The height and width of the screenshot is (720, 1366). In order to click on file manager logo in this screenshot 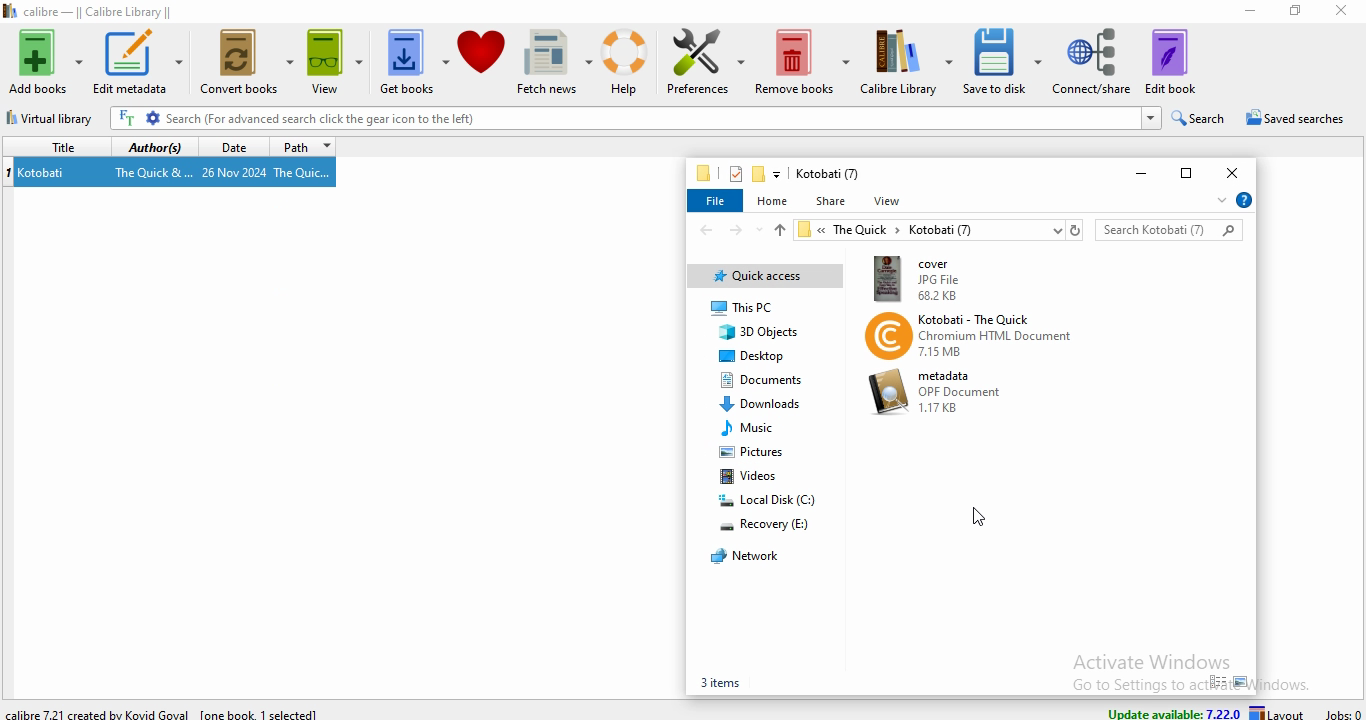, I will do `click(705, 173)`.